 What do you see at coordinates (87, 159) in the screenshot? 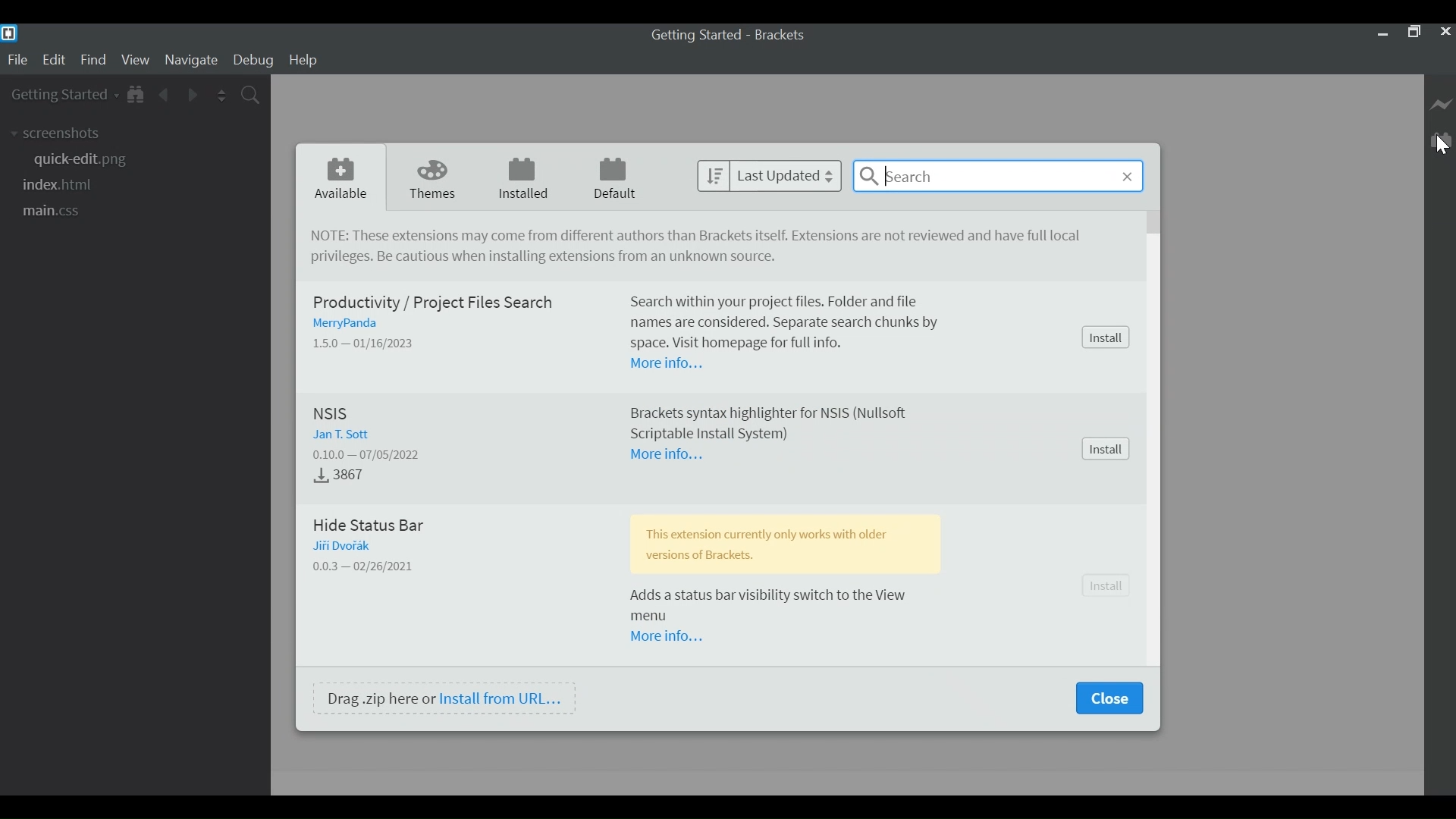
I see `quick-edit.png` at bounding box center [87, 159].